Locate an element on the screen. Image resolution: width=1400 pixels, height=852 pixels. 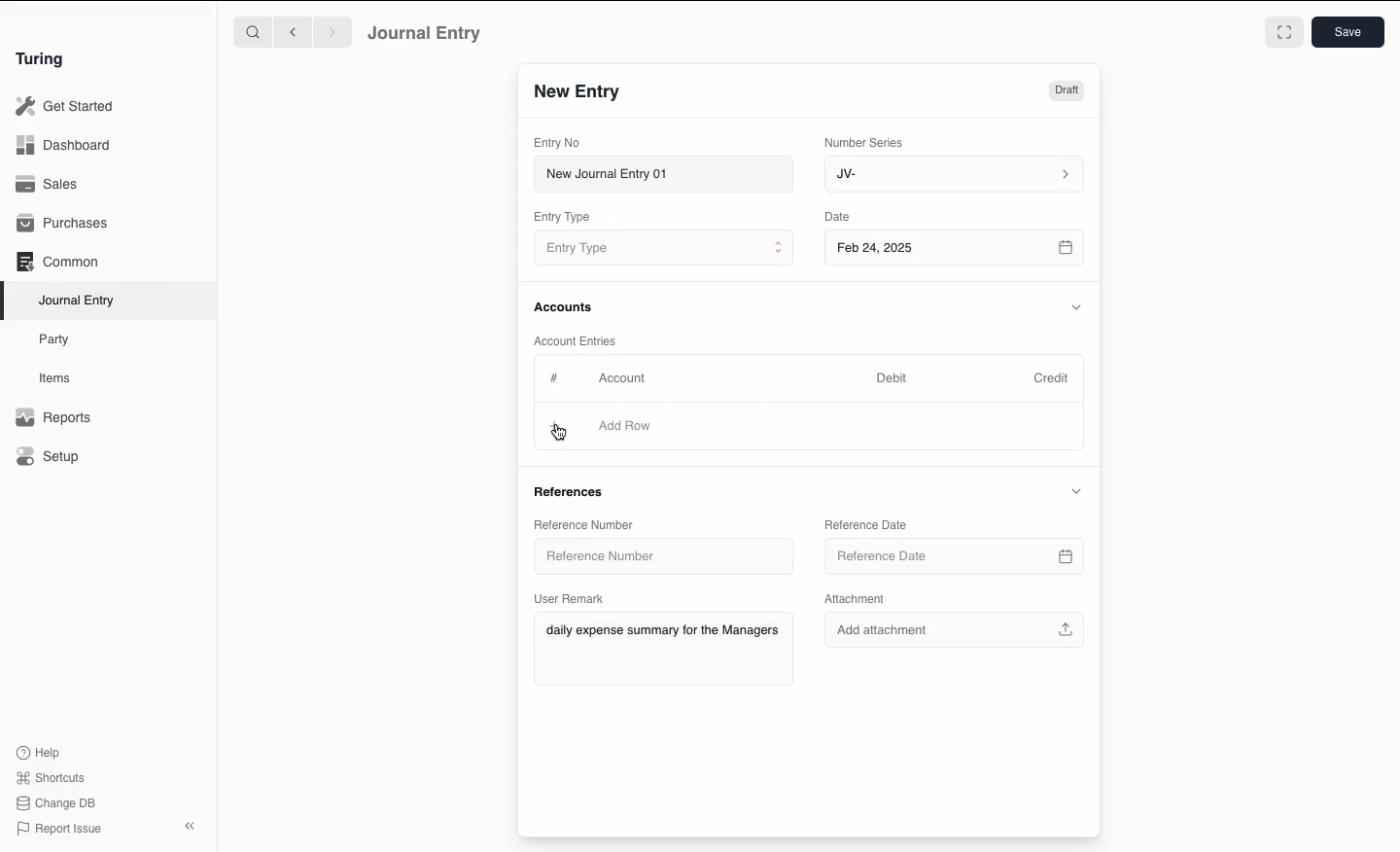
Reference Date is located at coordinates (959, 557).